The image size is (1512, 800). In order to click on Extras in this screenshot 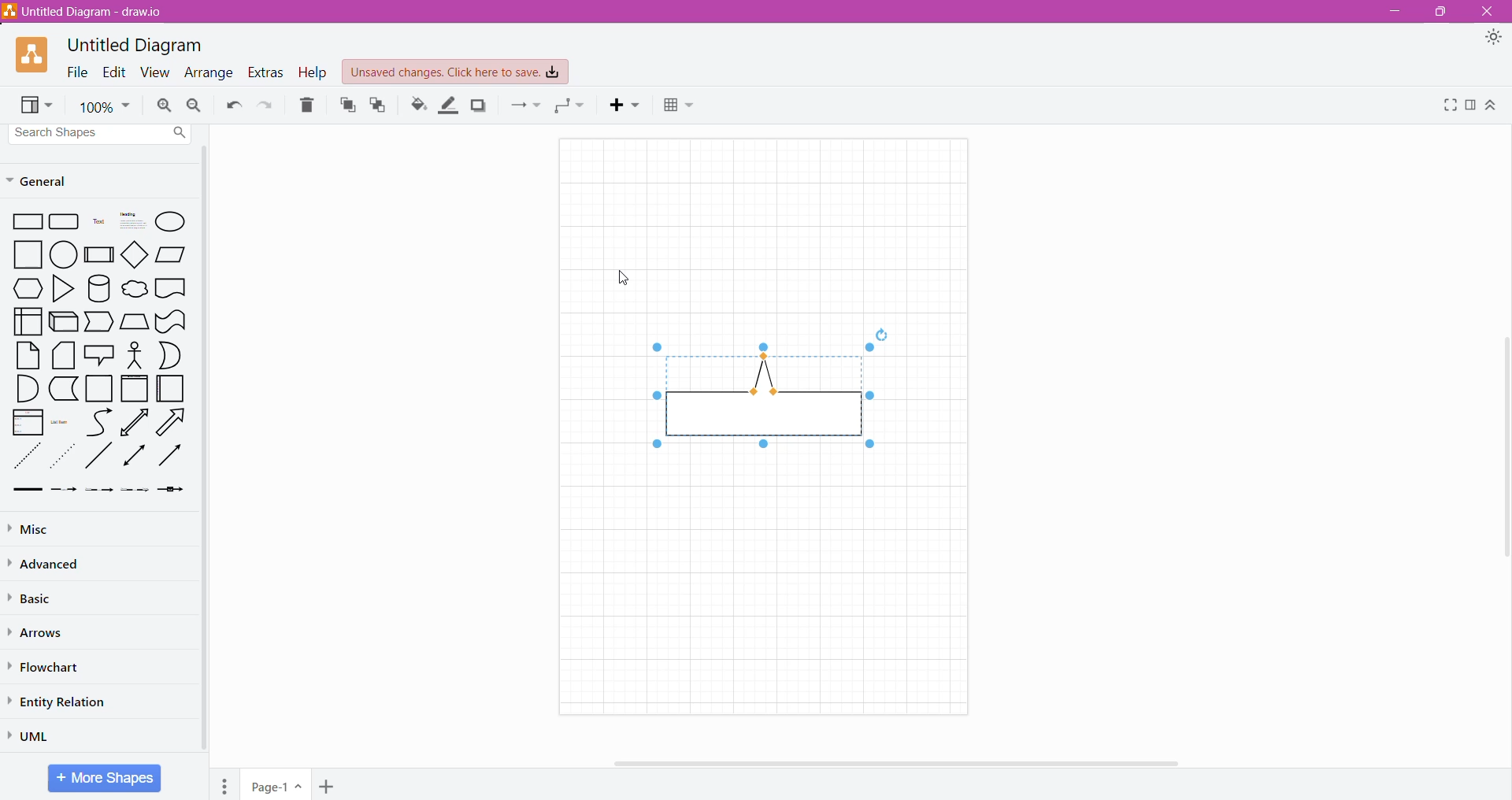, I will do `click(267, 73)`.